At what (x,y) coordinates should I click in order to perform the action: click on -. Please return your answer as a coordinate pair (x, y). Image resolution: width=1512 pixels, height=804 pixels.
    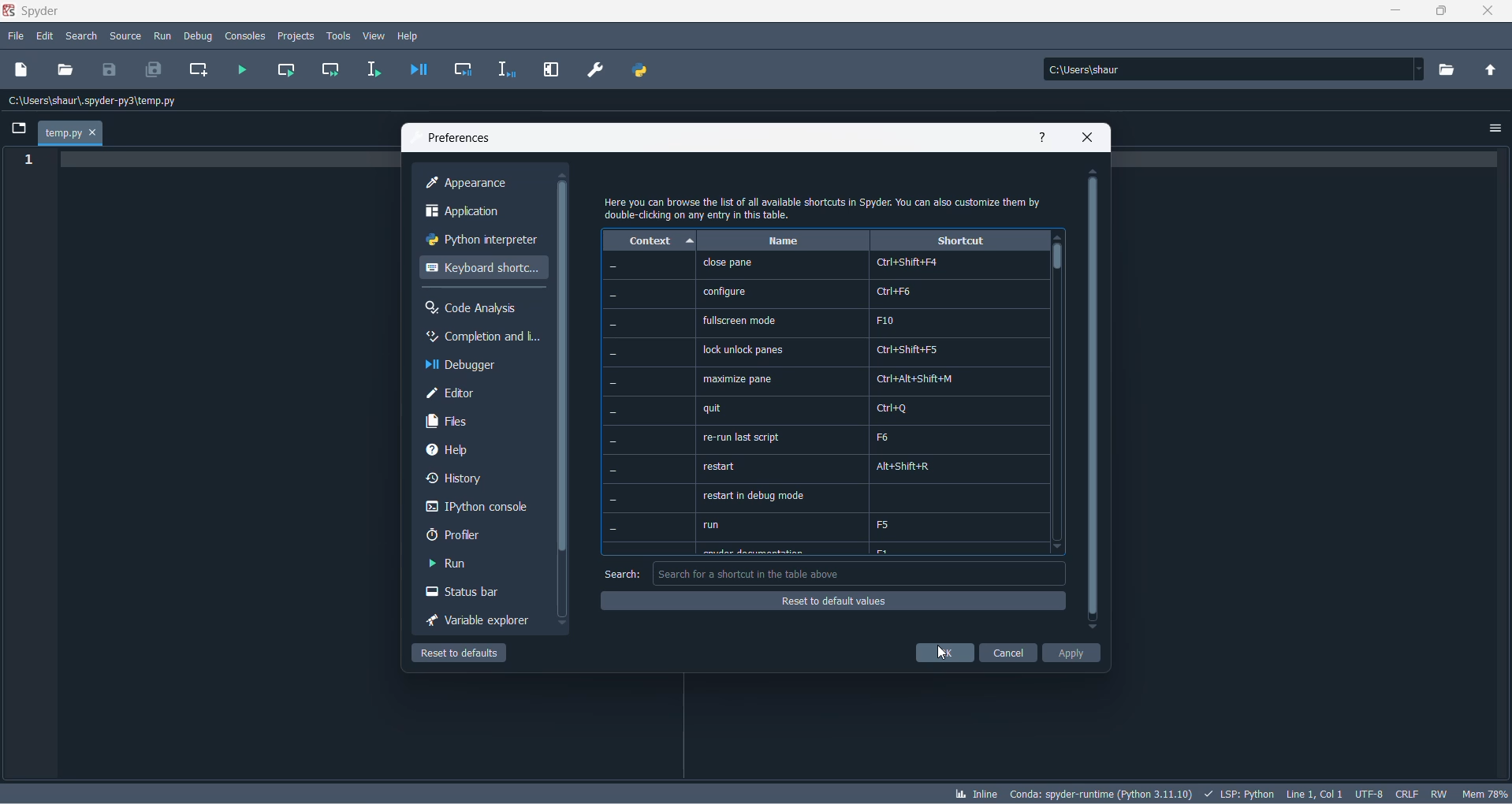
    Looking at the image, I should click on (615, 499).